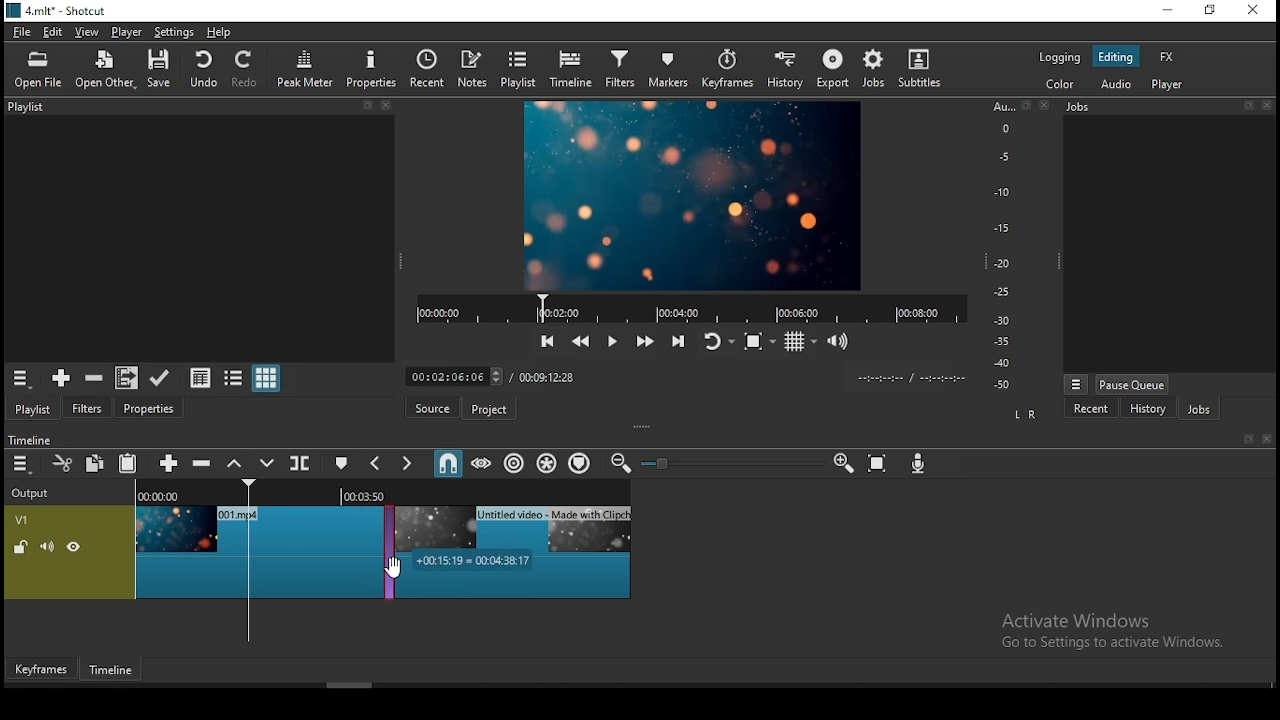  What do you see at coordinates (843, 461) in the screenshot?
I see `zoom timeline in` at bounding box center [843, 461].